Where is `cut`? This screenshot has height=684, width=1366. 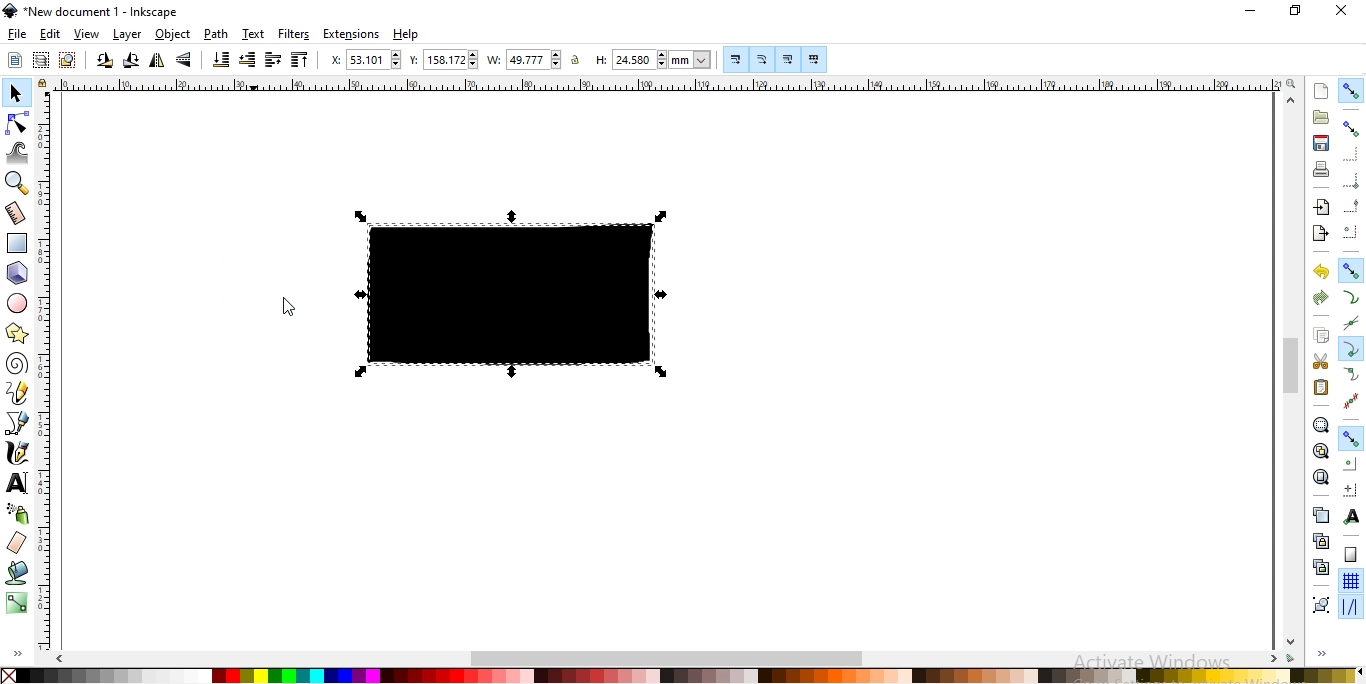
cut is located at coordinates (1320, 363).